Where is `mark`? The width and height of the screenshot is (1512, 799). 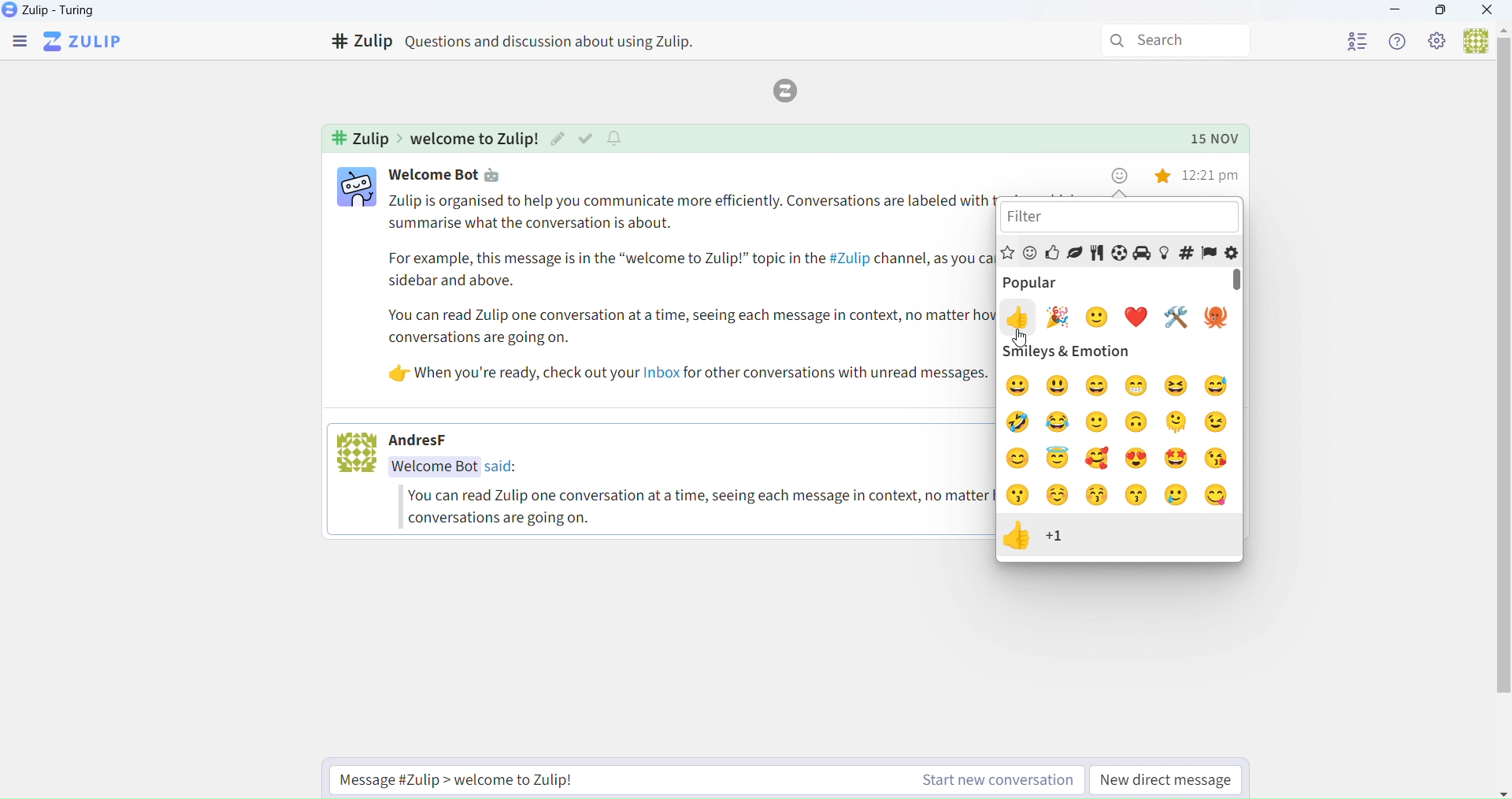
mark is located at coordinates (586, 138).